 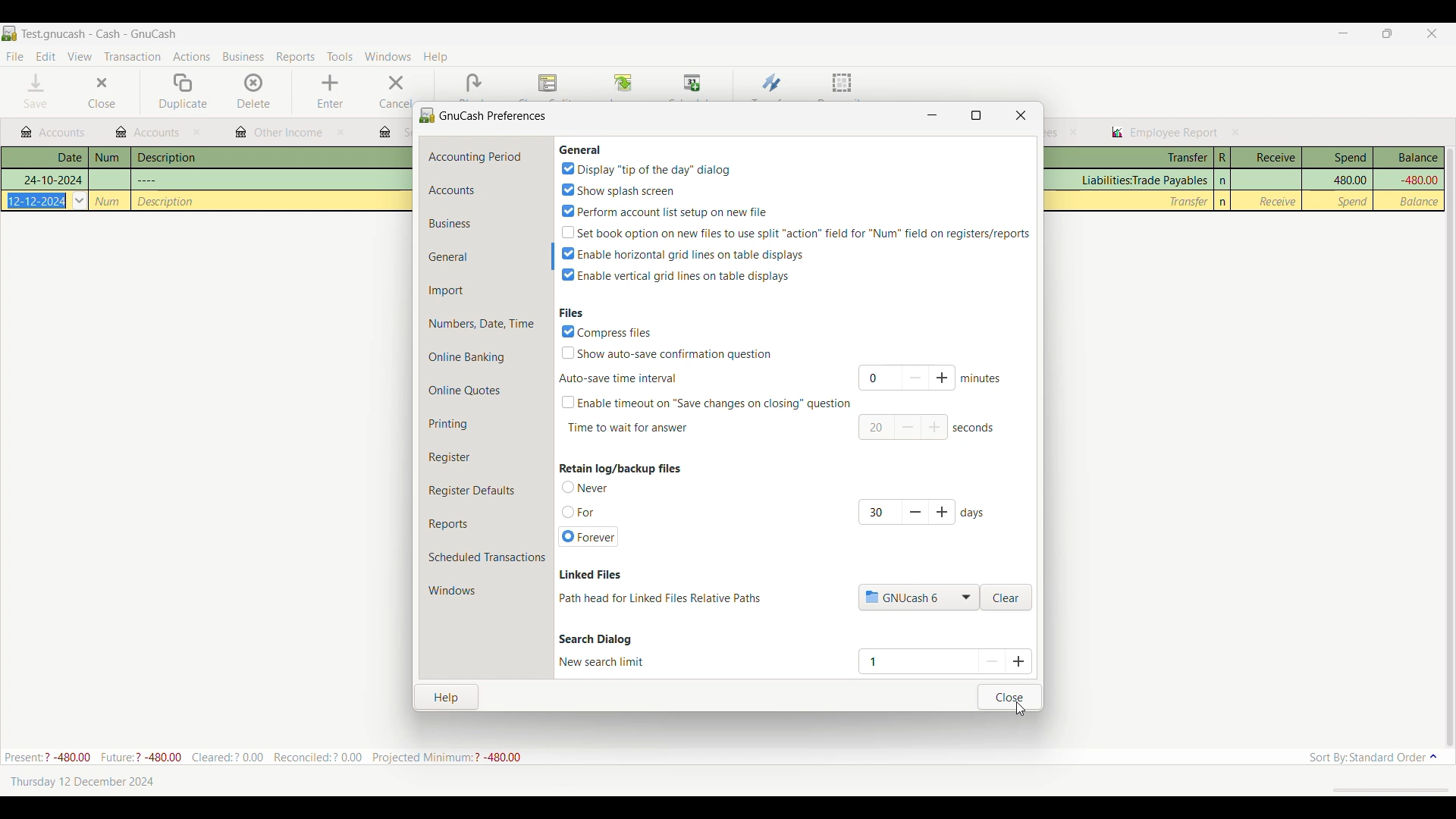 I want to click on Blank, so click(x=473, y=83).